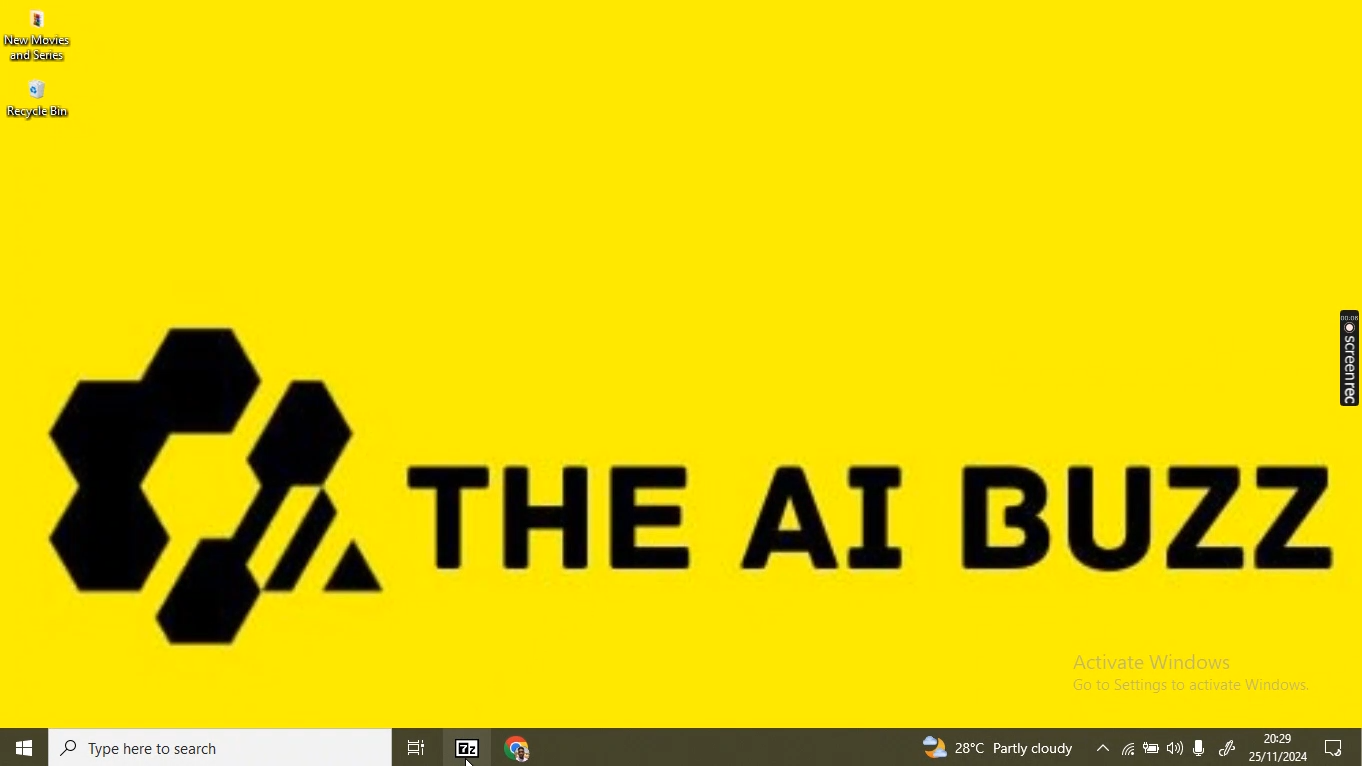  Describe the element at coordinates (1150, 752) in the screenshot. I see `battery` at that location.